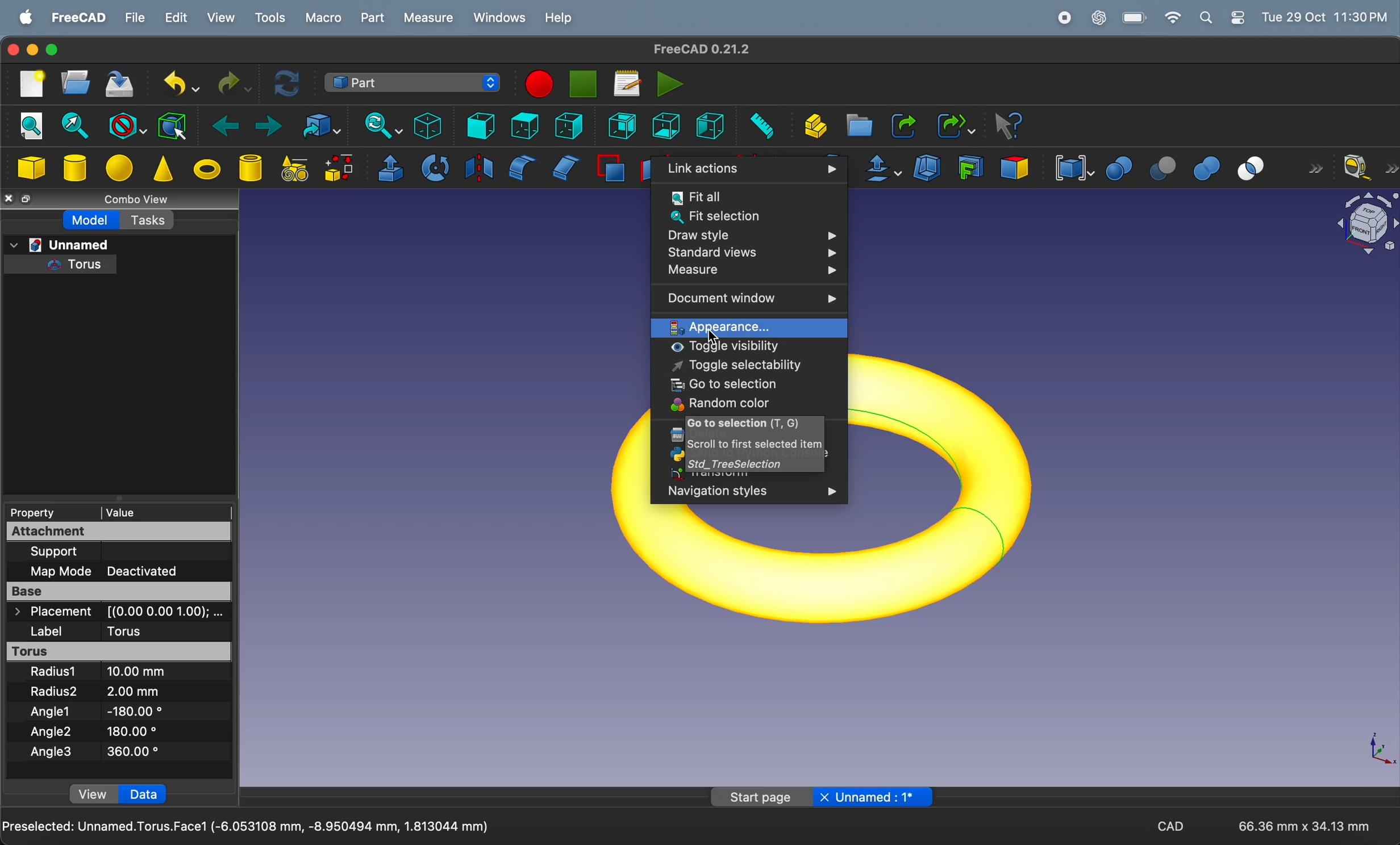 The height and width of the screenshot is (845, 1400). I want to click on chatgpt, so click(1098, 16).